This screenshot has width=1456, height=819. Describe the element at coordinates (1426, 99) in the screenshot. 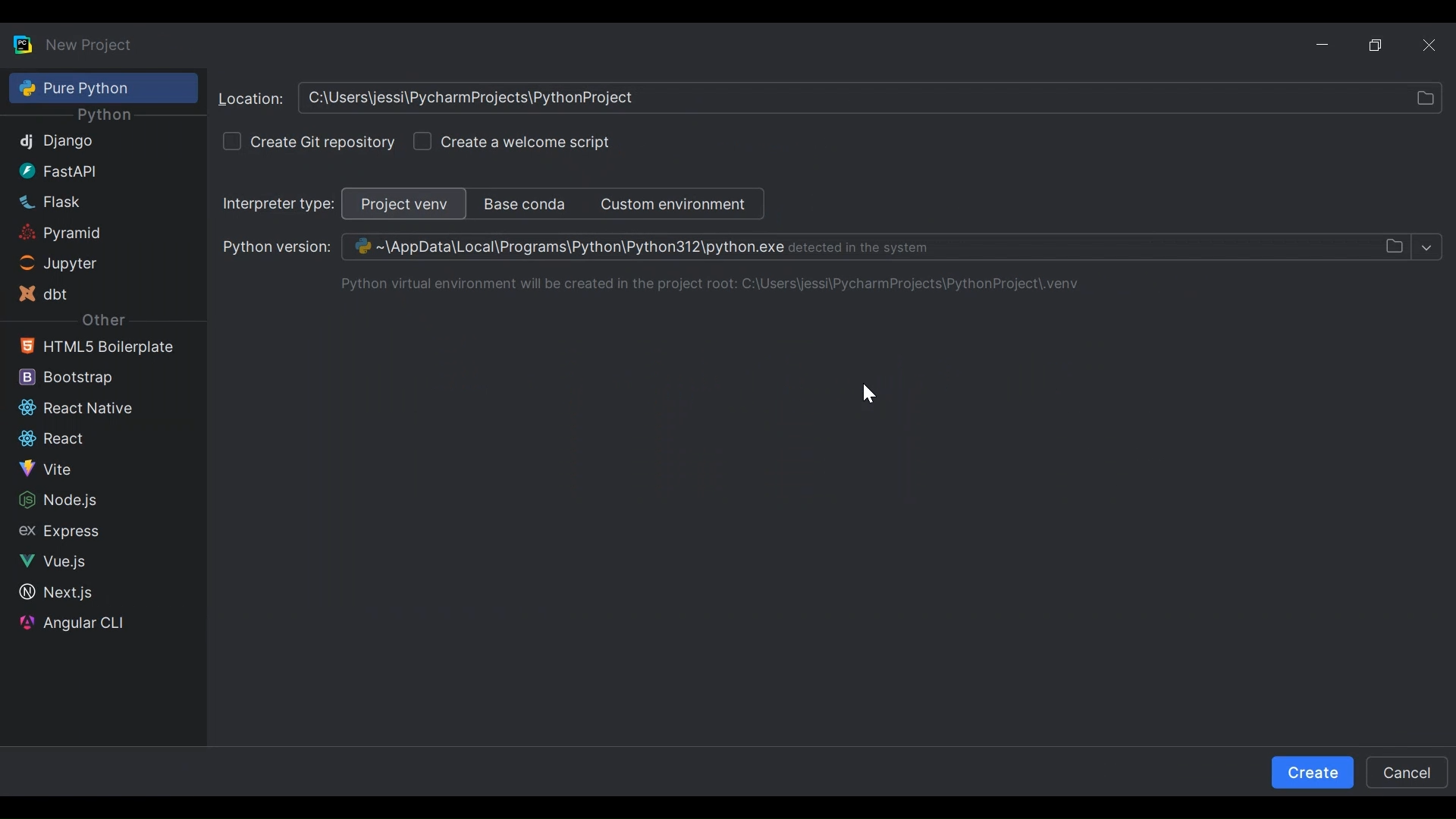

I see `select file` at that location.